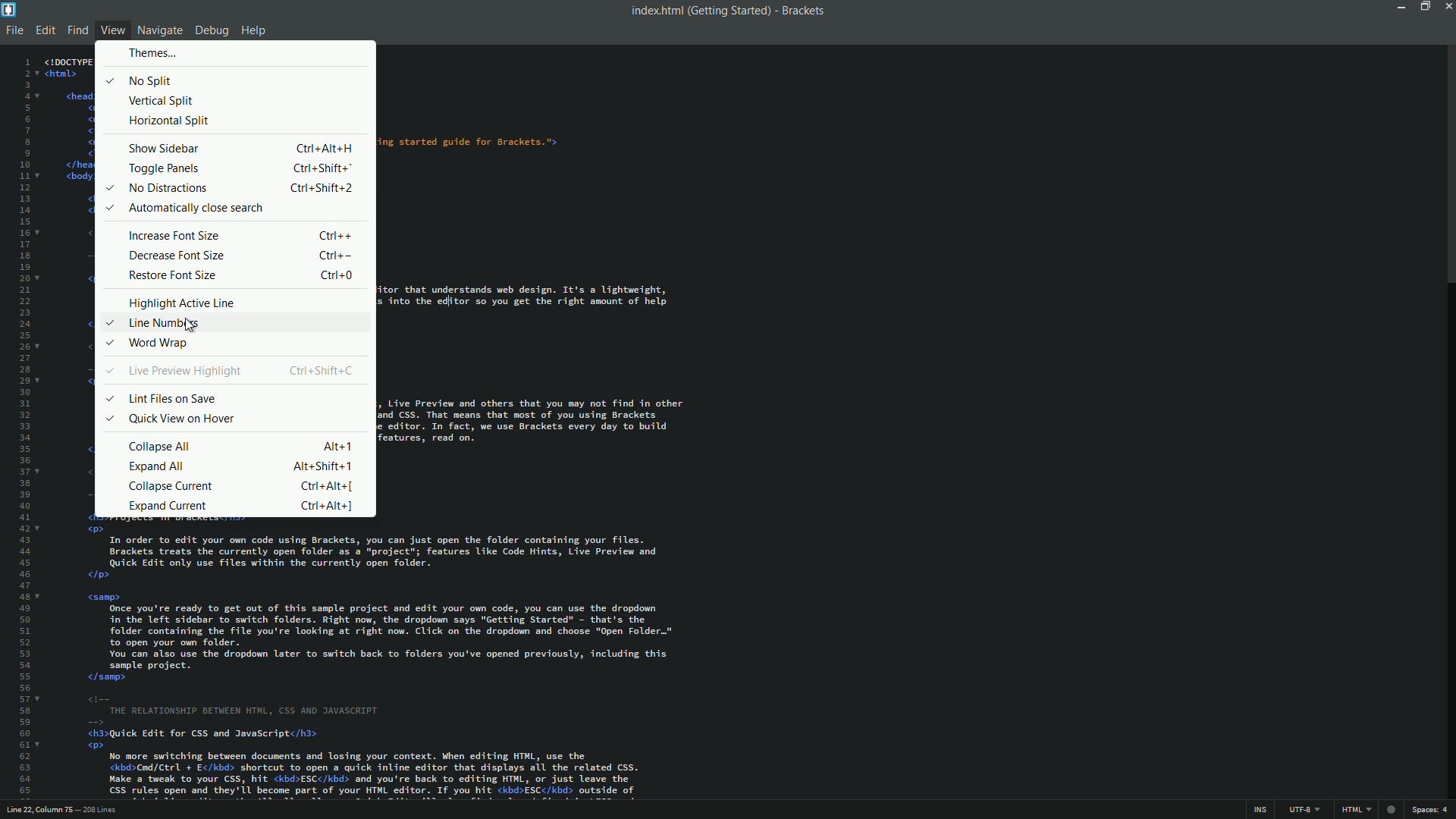  What do you see at coordinates (242, 256) in the screenshot?
I see `Decrease Font Size Ctrl+-` at bounding box center [242, 256].